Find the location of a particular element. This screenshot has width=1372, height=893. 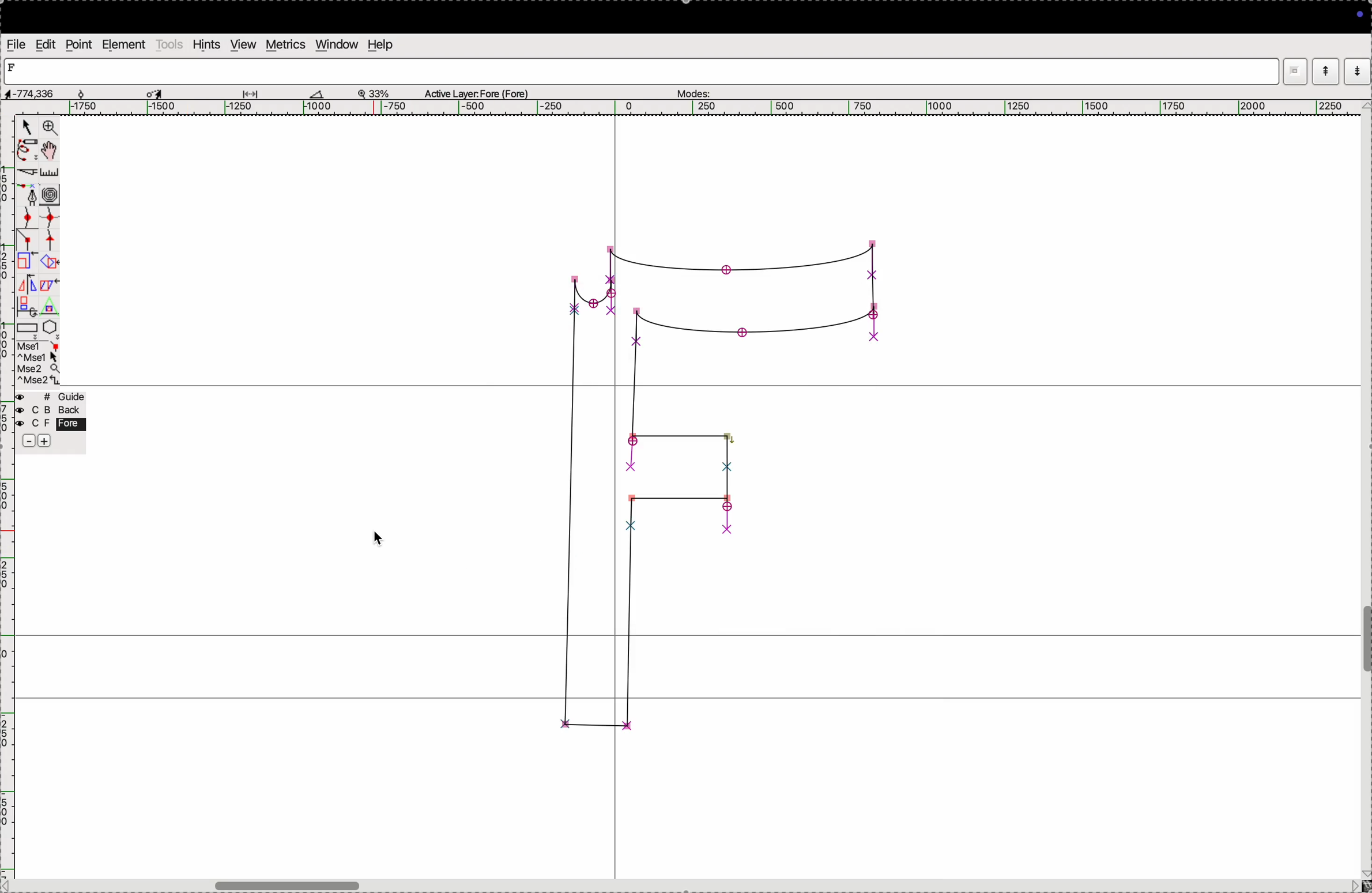

zoom is located at coordinates (50, 129).